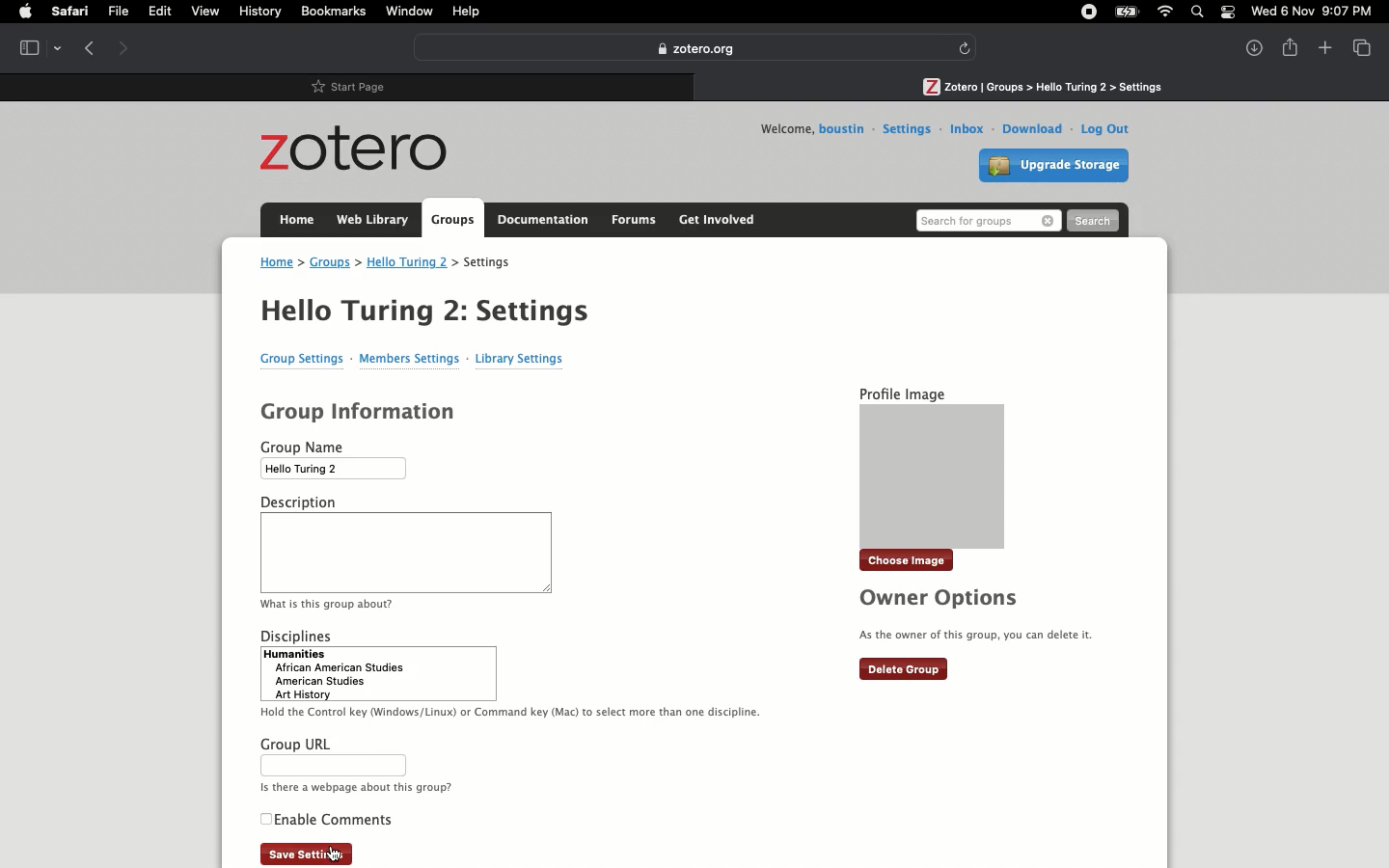 This screenshot has width=1389, height=868. What do you see at coordinates (335, 853) in the screenshot?
I see `cursor` at bounding box center [335, 853].